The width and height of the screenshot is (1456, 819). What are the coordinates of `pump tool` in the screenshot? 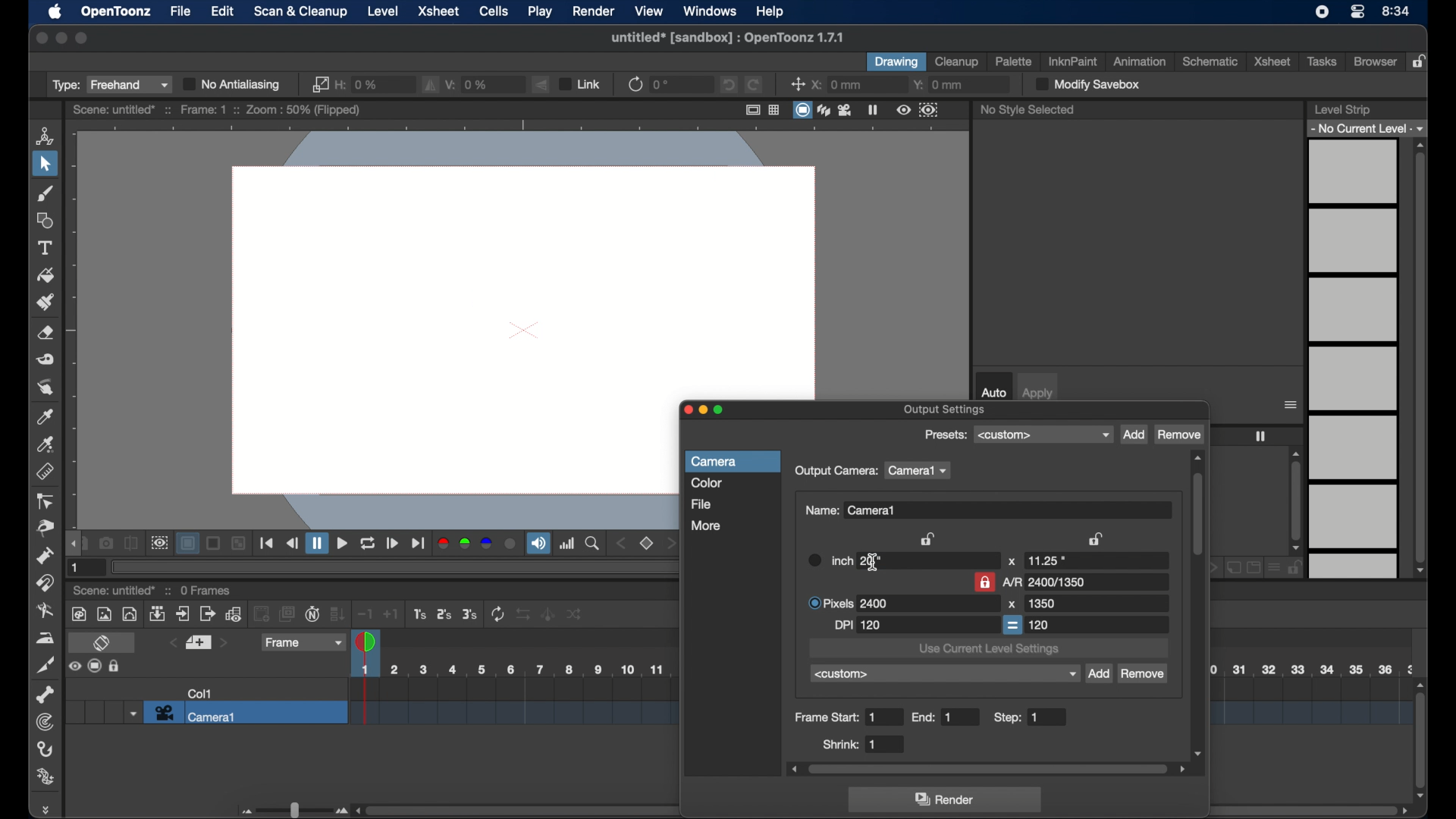 It's located at (42, 555).